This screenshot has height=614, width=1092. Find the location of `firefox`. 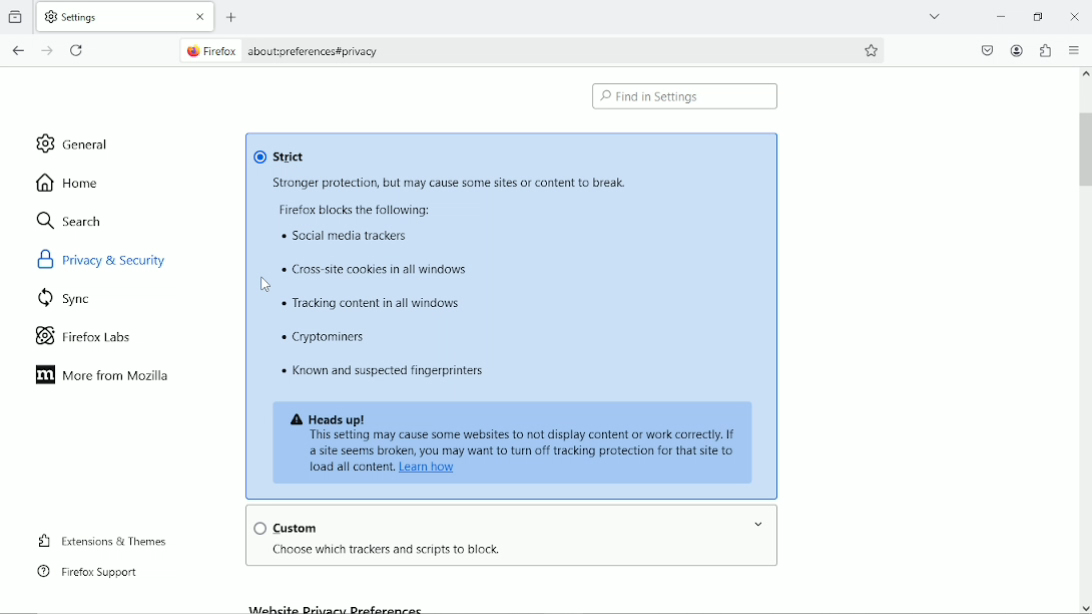

firefox is located at coordinates (210, 50).